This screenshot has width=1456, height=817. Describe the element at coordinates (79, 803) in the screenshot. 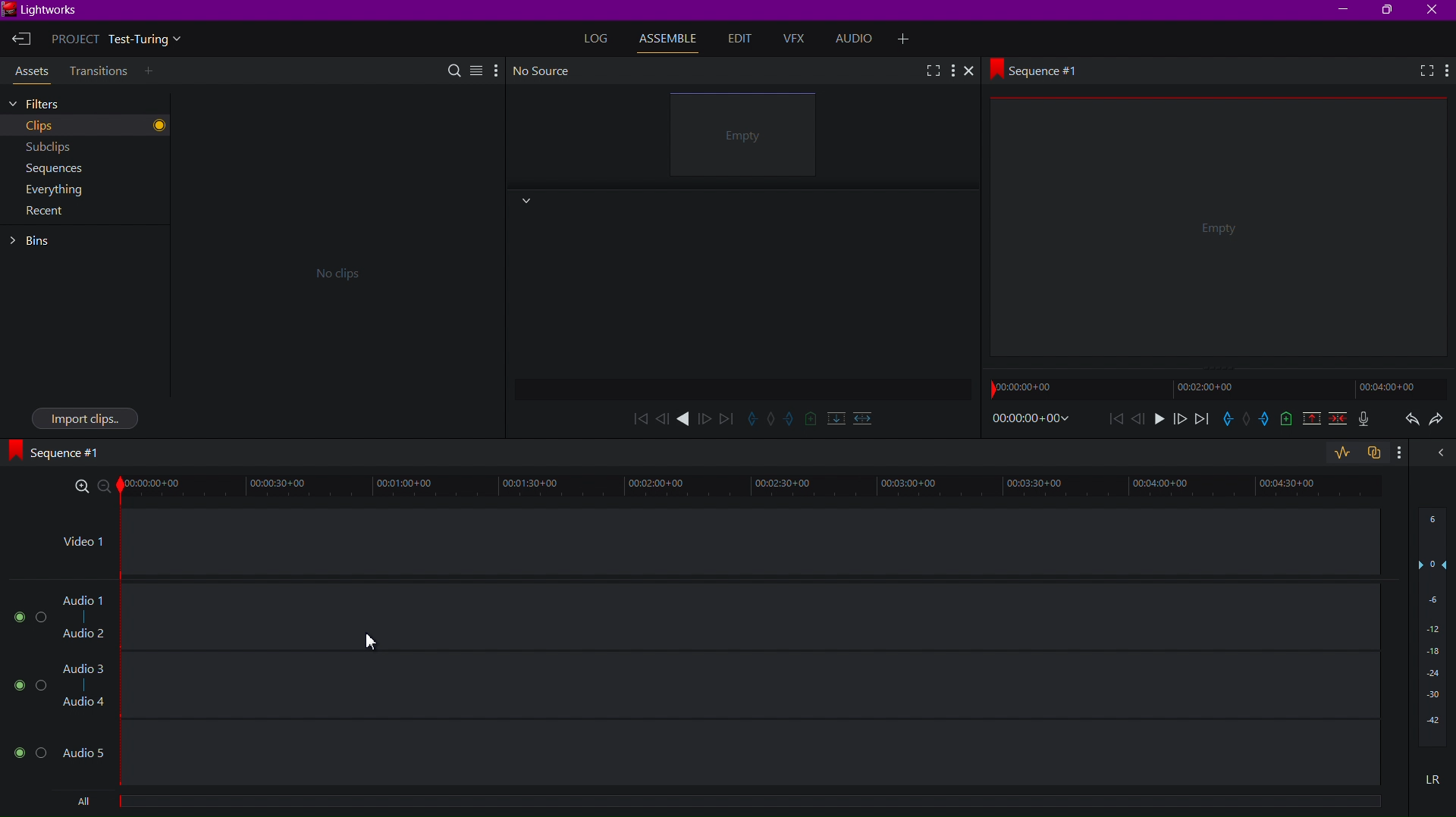

I see `All` at that location.